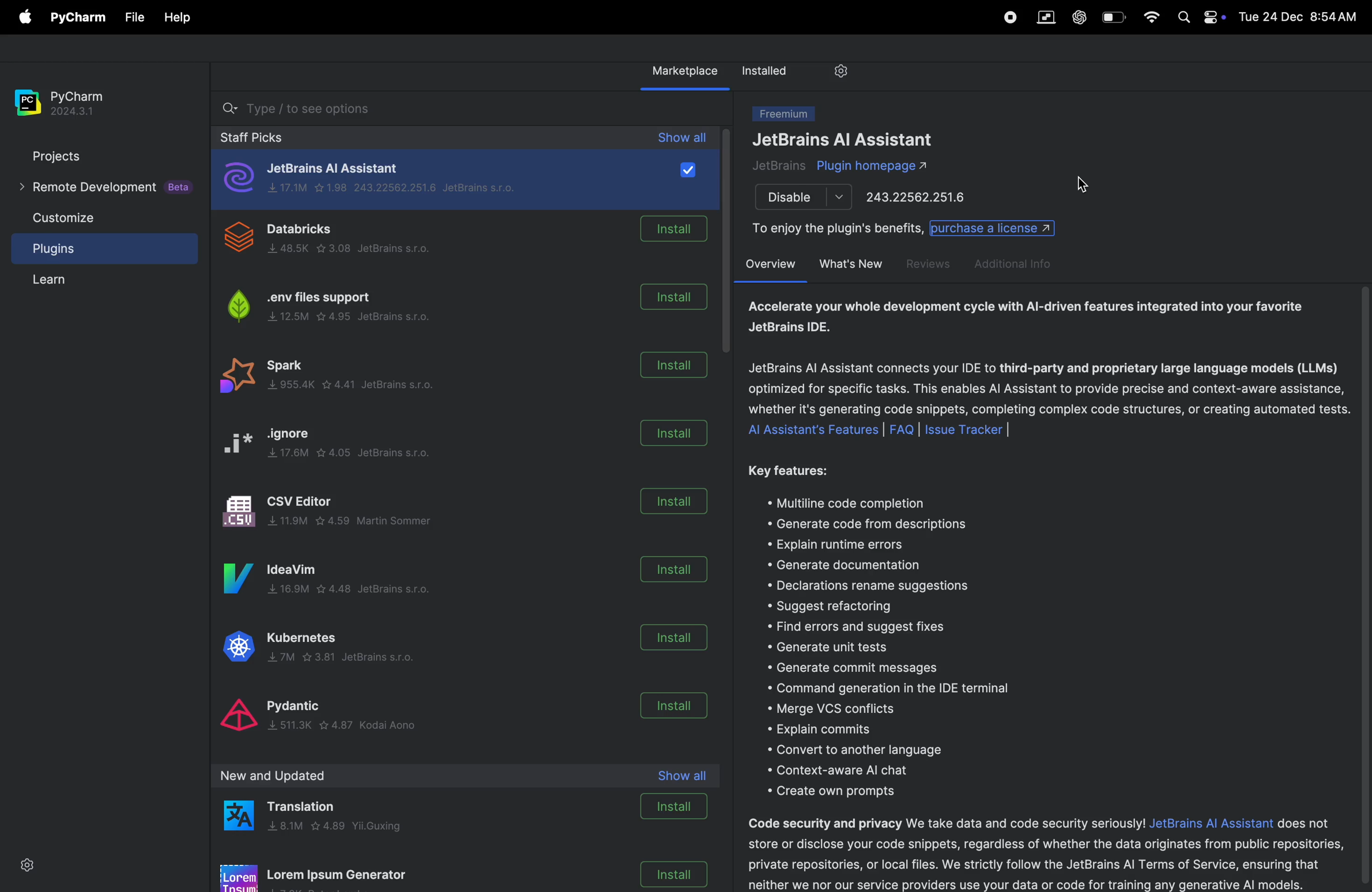  Describe the element at coordinates (327, 456) in the screenshot. I see `ignore` at that location.